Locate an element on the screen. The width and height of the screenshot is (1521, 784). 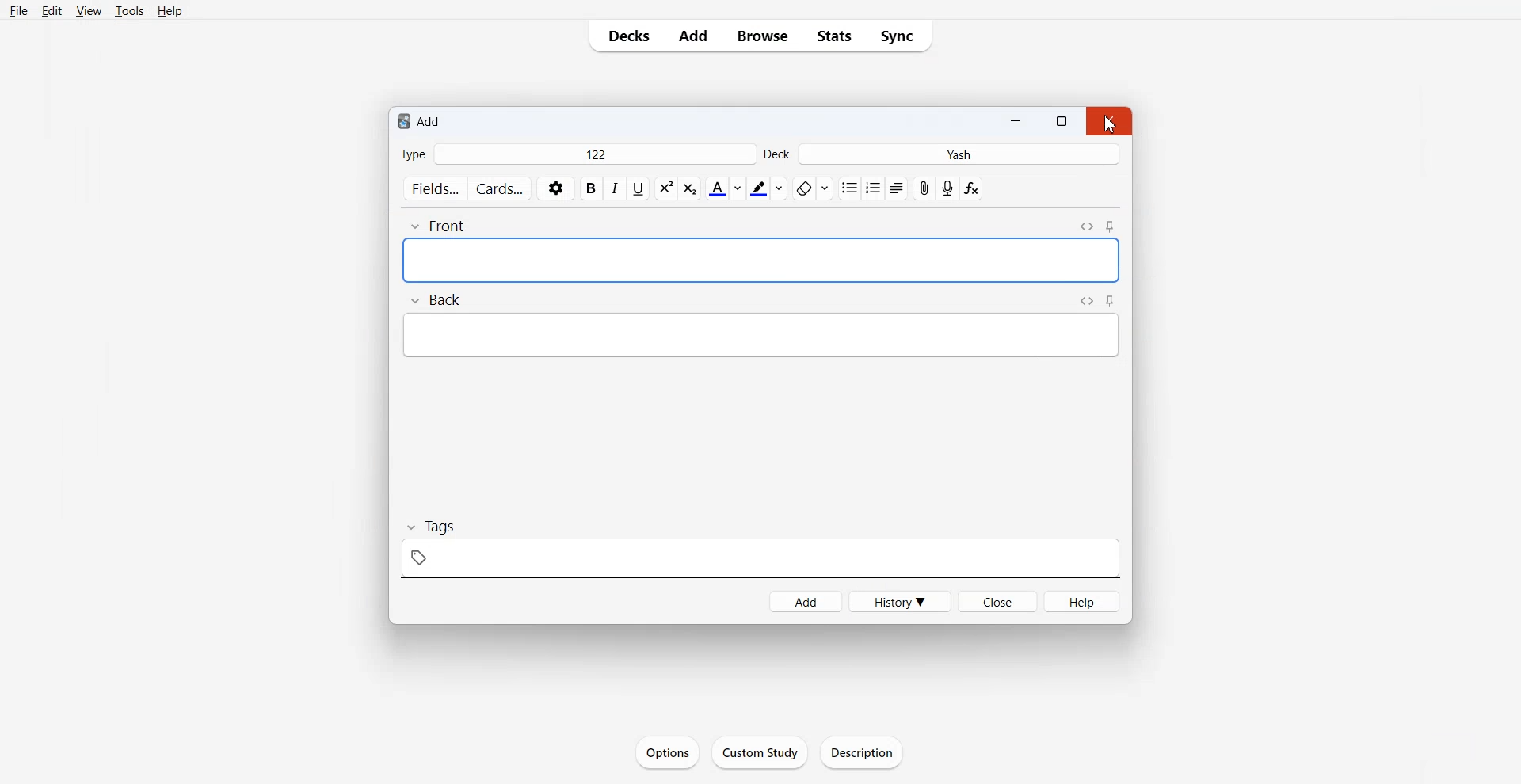
Browse is located at coordinates (764, 36).